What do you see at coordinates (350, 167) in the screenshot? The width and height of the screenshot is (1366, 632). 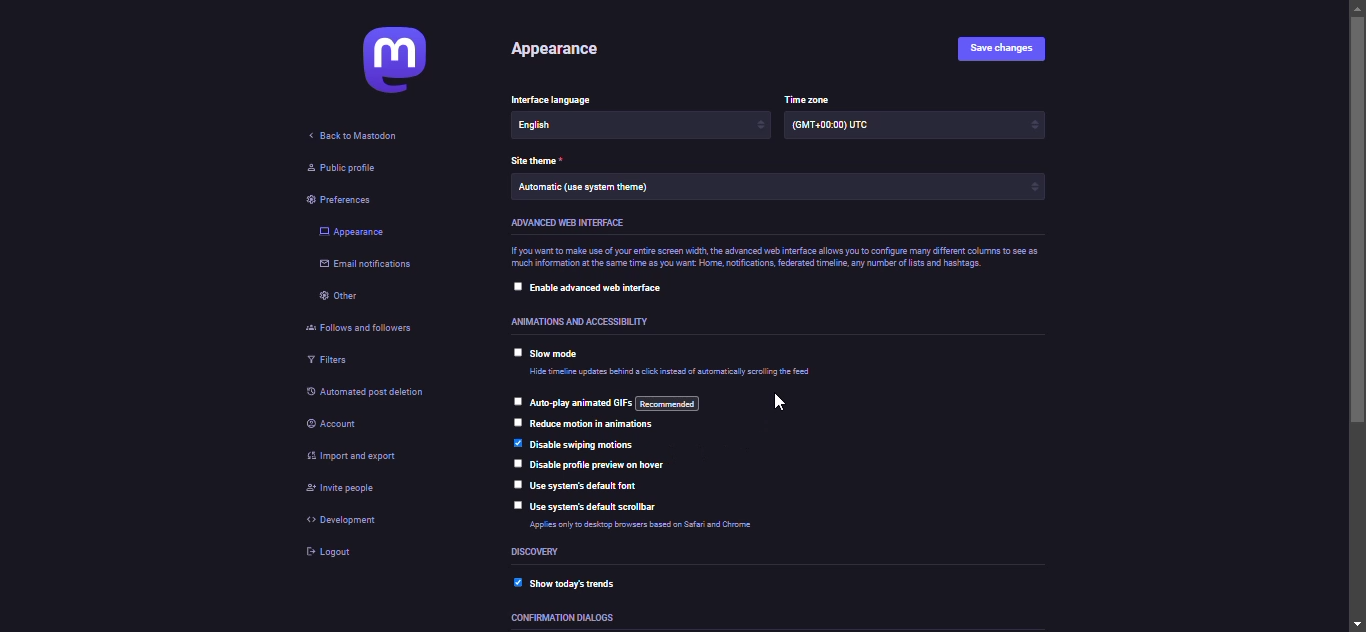 I see `public profile` at bounding box center [350, 167].